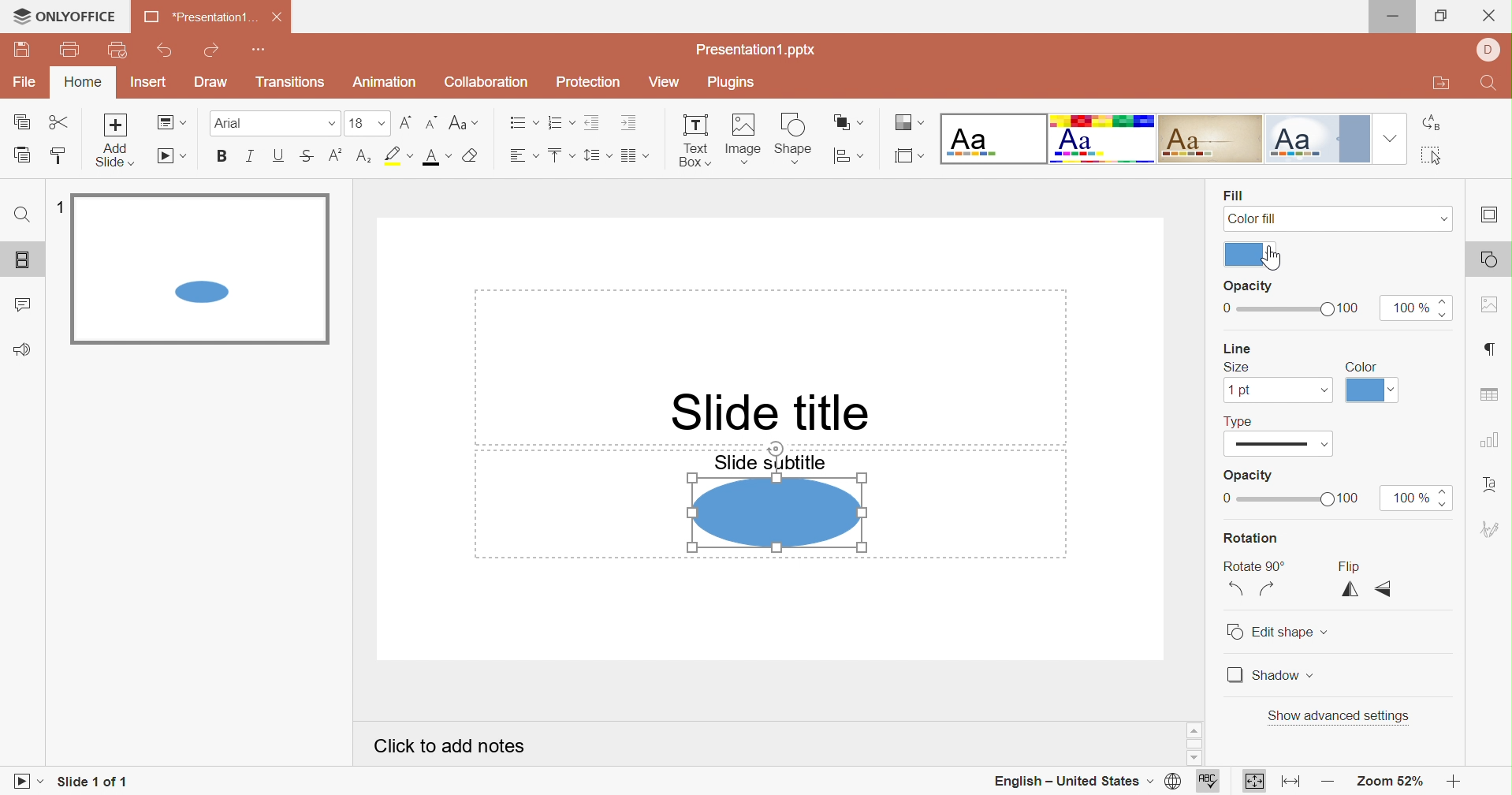  What do you see at coordinates (521, 156) in the screenshot?
I see `Horizontal align` at bounding box center [521, 156].